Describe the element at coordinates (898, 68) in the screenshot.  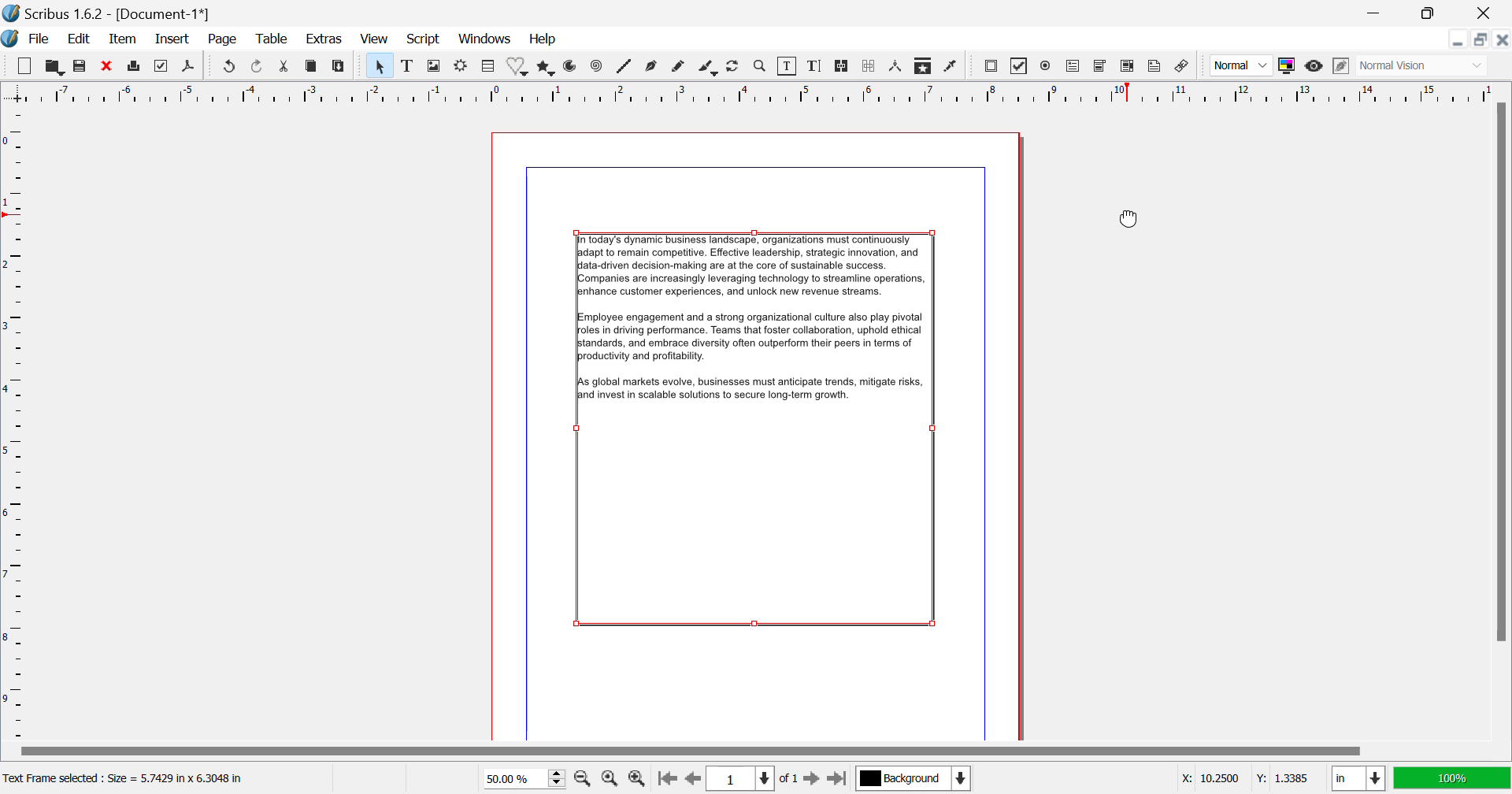
I see `Measurements` at that location.